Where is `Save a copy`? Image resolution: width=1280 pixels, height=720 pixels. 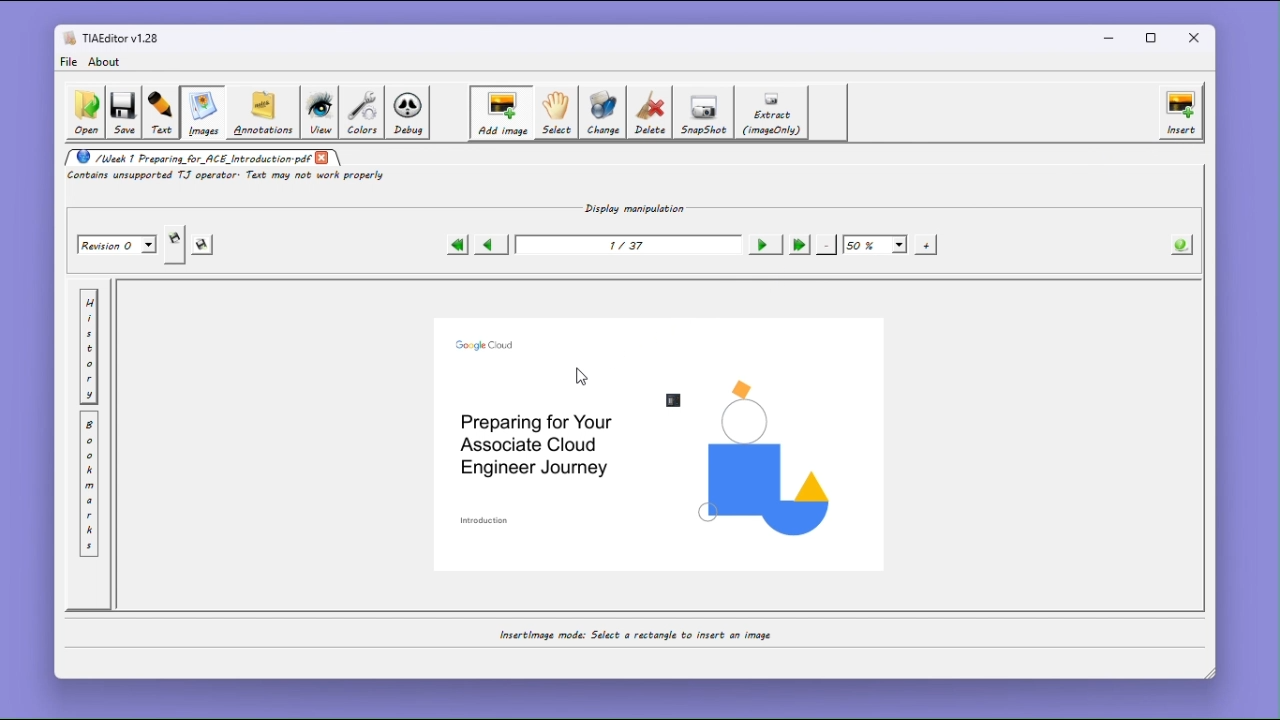
Save a copy is located at coordinates (175, 245).